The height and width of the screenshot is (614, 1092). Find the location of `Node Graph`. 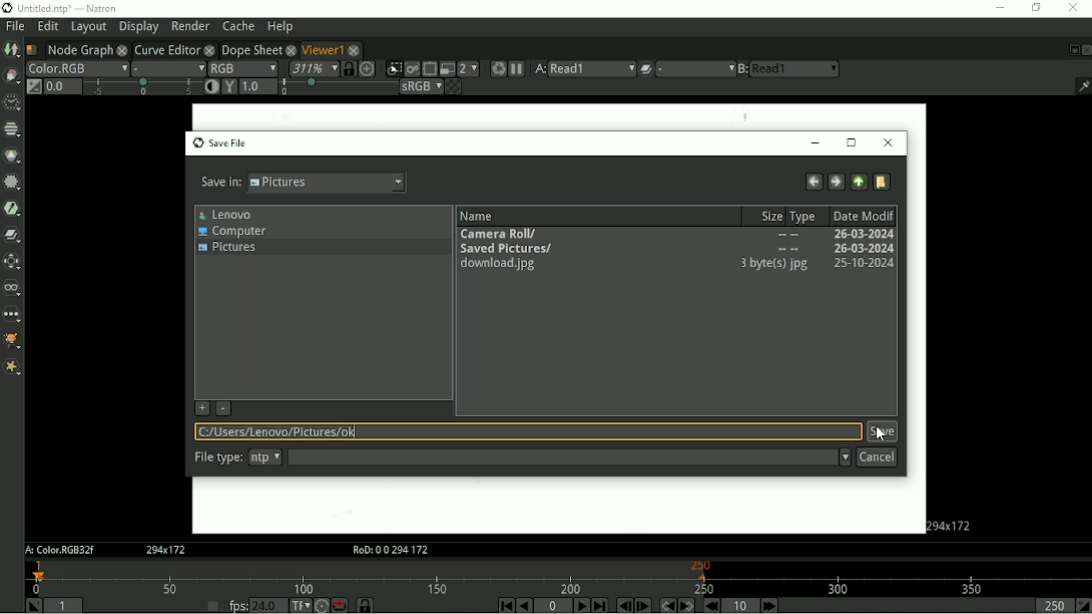

Node Graph is located at coordinates (78, 49).